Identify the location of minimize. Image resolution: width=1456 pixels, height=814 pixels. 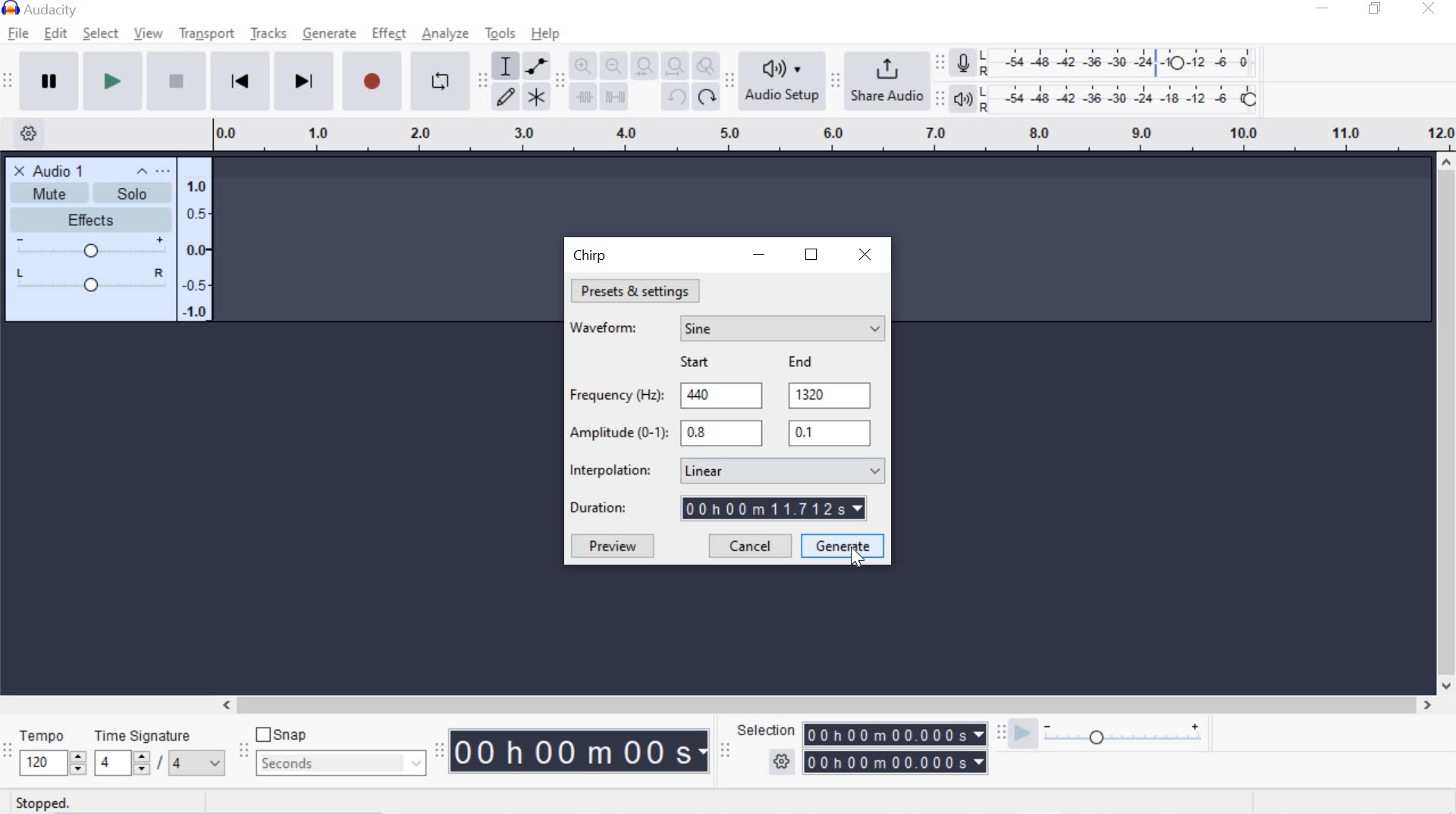
(758, 252).